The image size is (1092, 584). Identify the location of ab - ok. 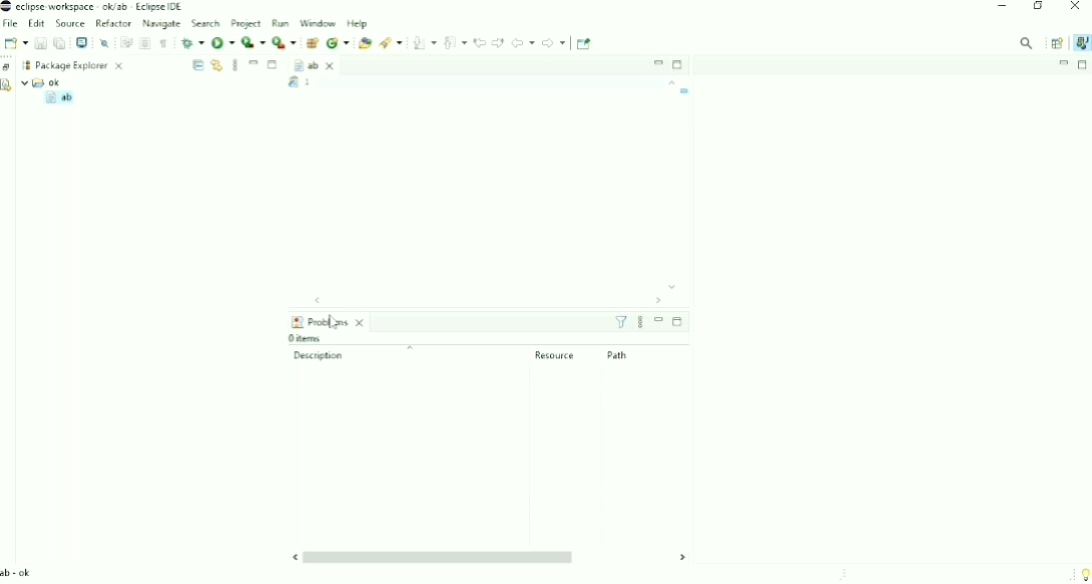
(19, 573).